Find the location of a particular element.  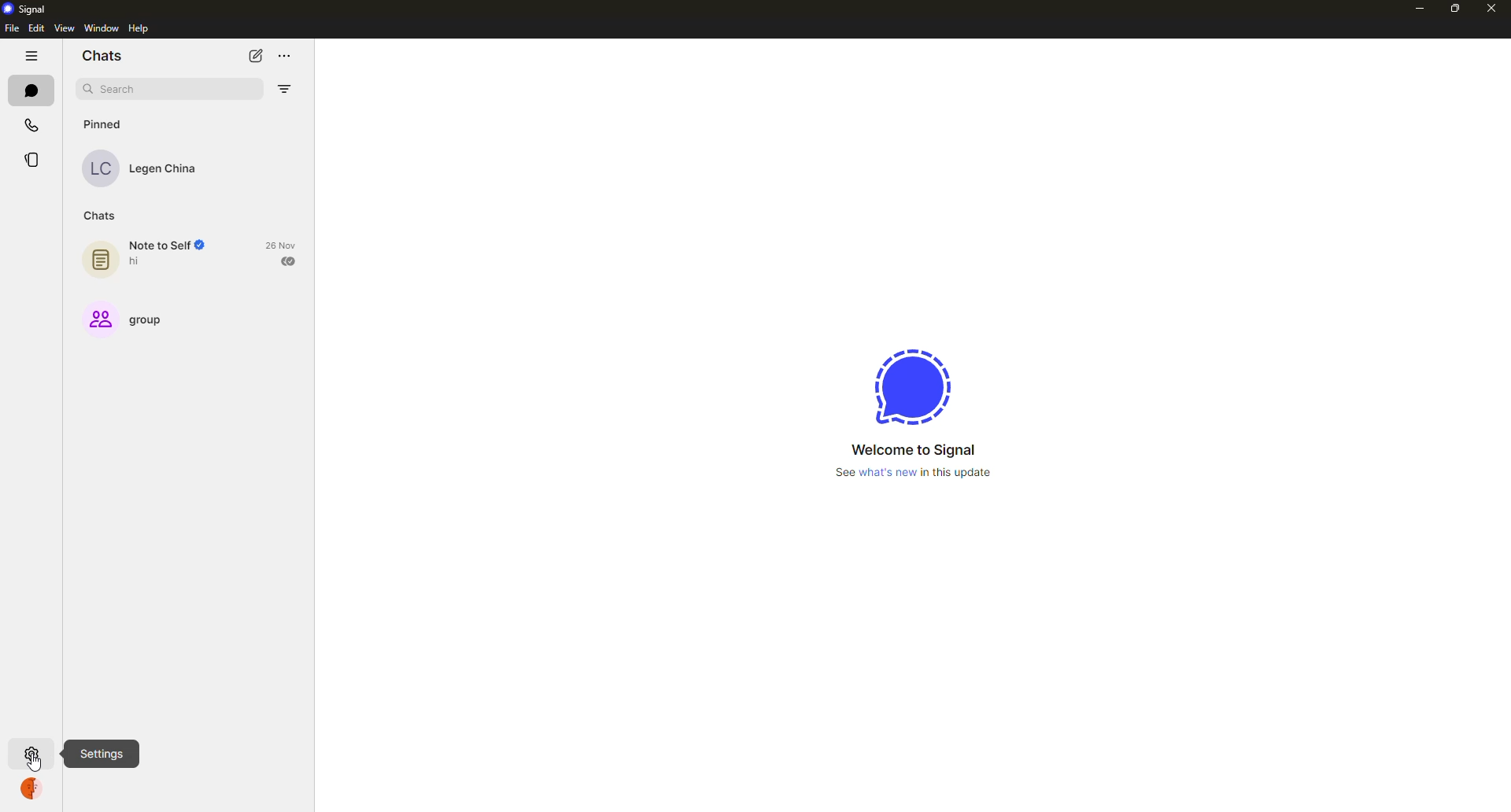

help is located at coordinates (136, 28).